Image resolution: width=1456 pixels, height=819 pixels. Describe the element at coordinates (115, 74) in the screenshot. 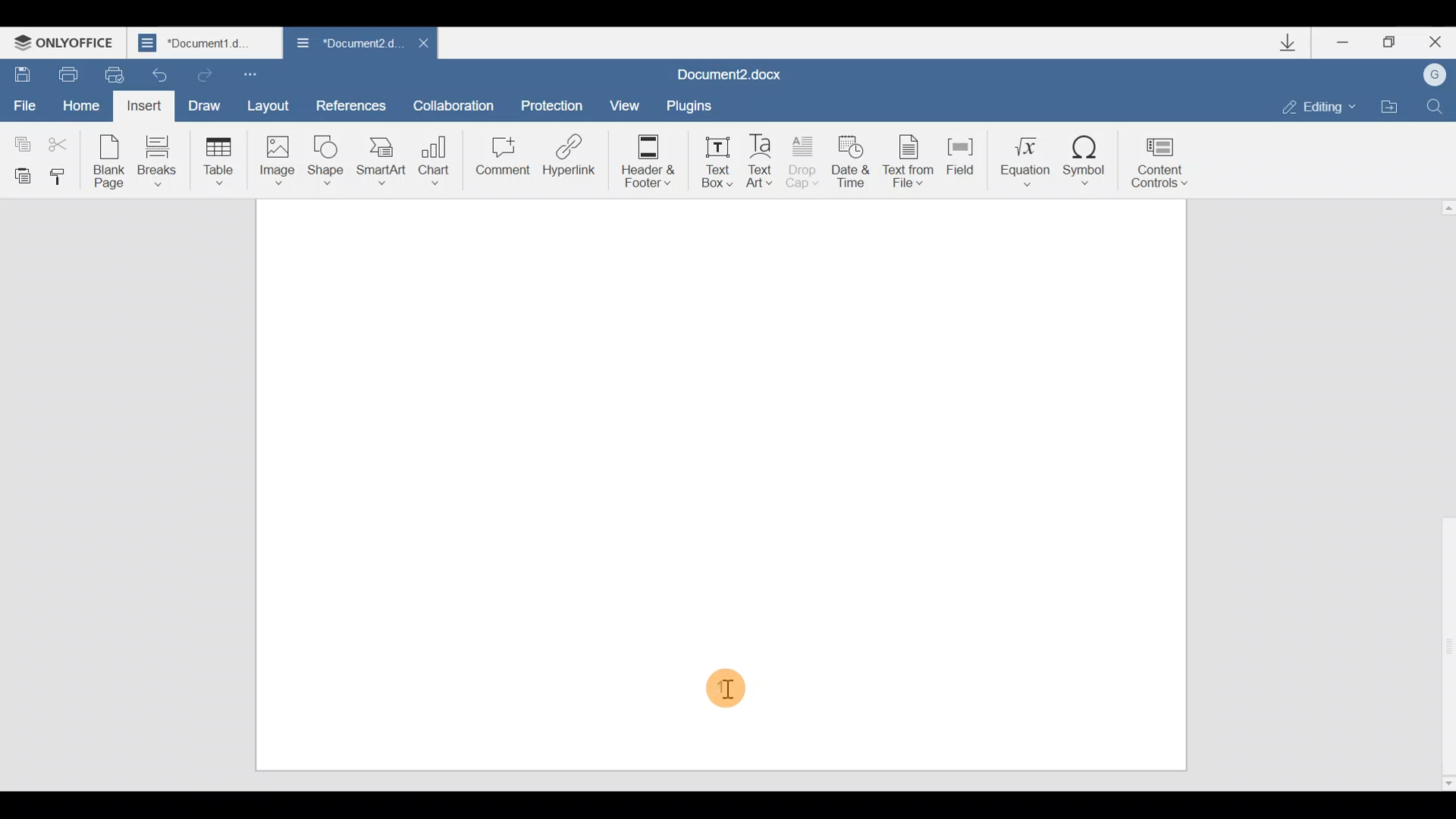

I see `Quick print` at that location.